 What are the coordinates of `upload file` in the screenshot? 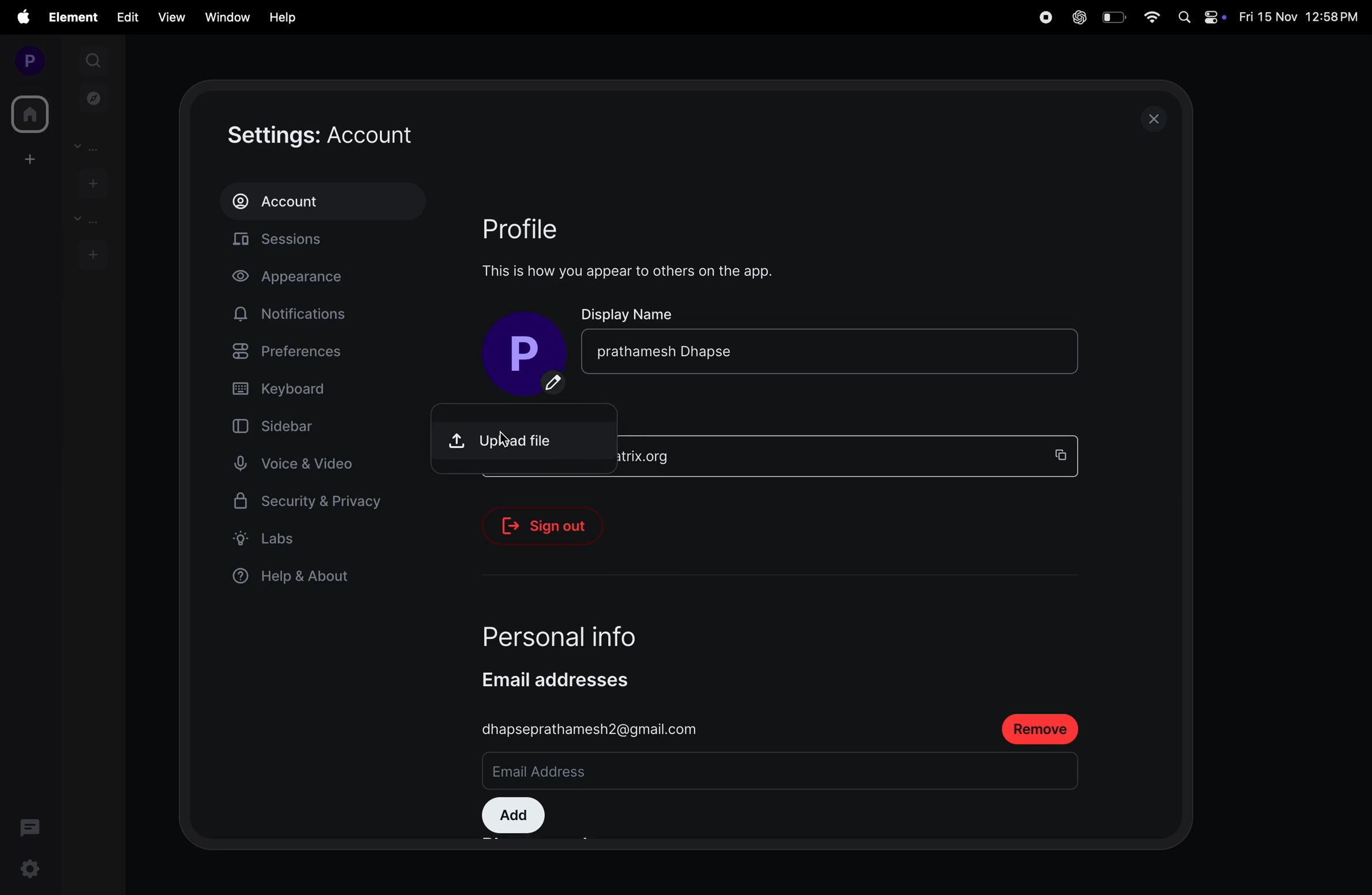 It's located at (529, 434).